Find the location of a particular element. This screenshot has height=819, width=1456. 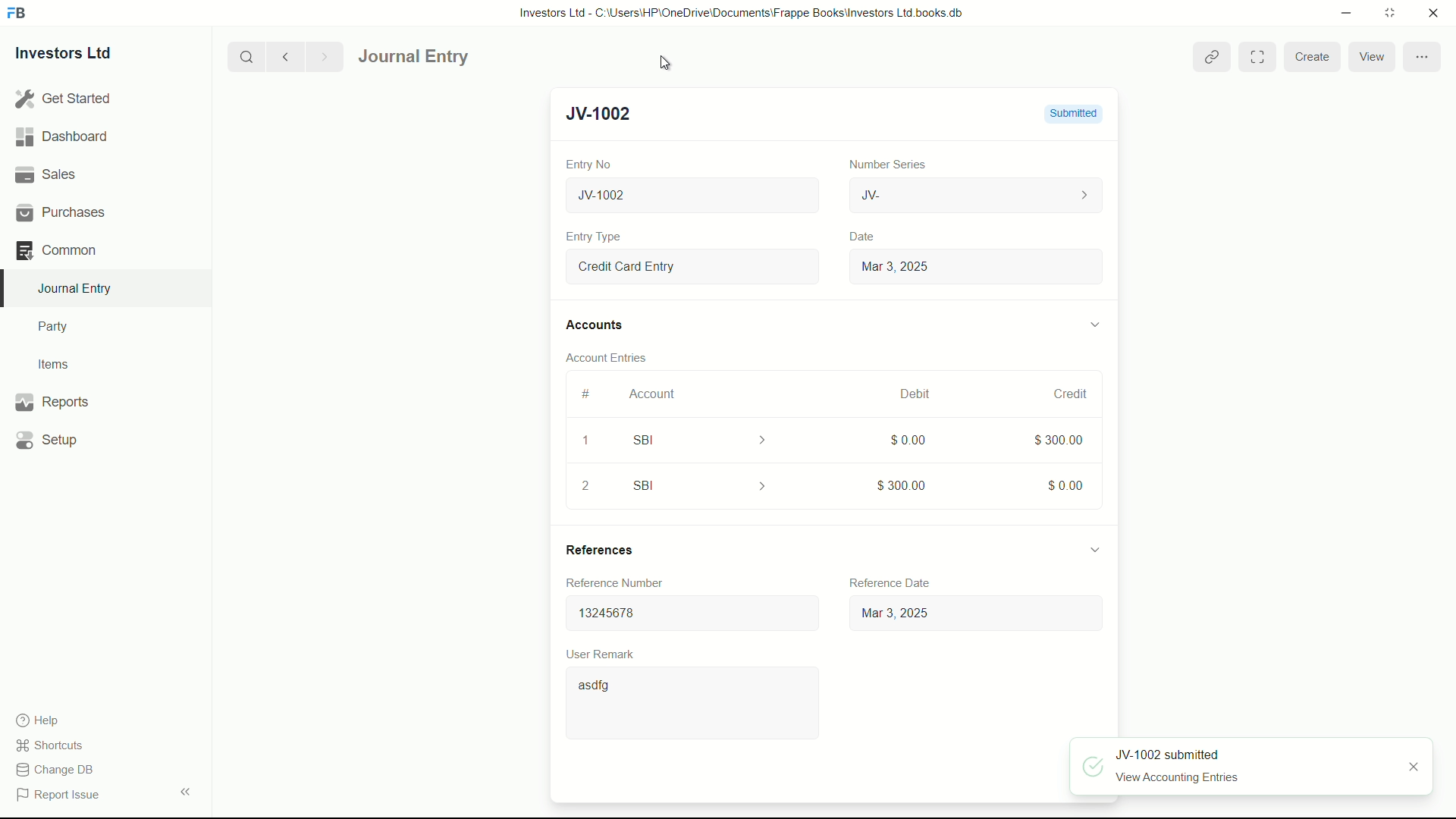

Entry Type is located at coordinates (691, 265).